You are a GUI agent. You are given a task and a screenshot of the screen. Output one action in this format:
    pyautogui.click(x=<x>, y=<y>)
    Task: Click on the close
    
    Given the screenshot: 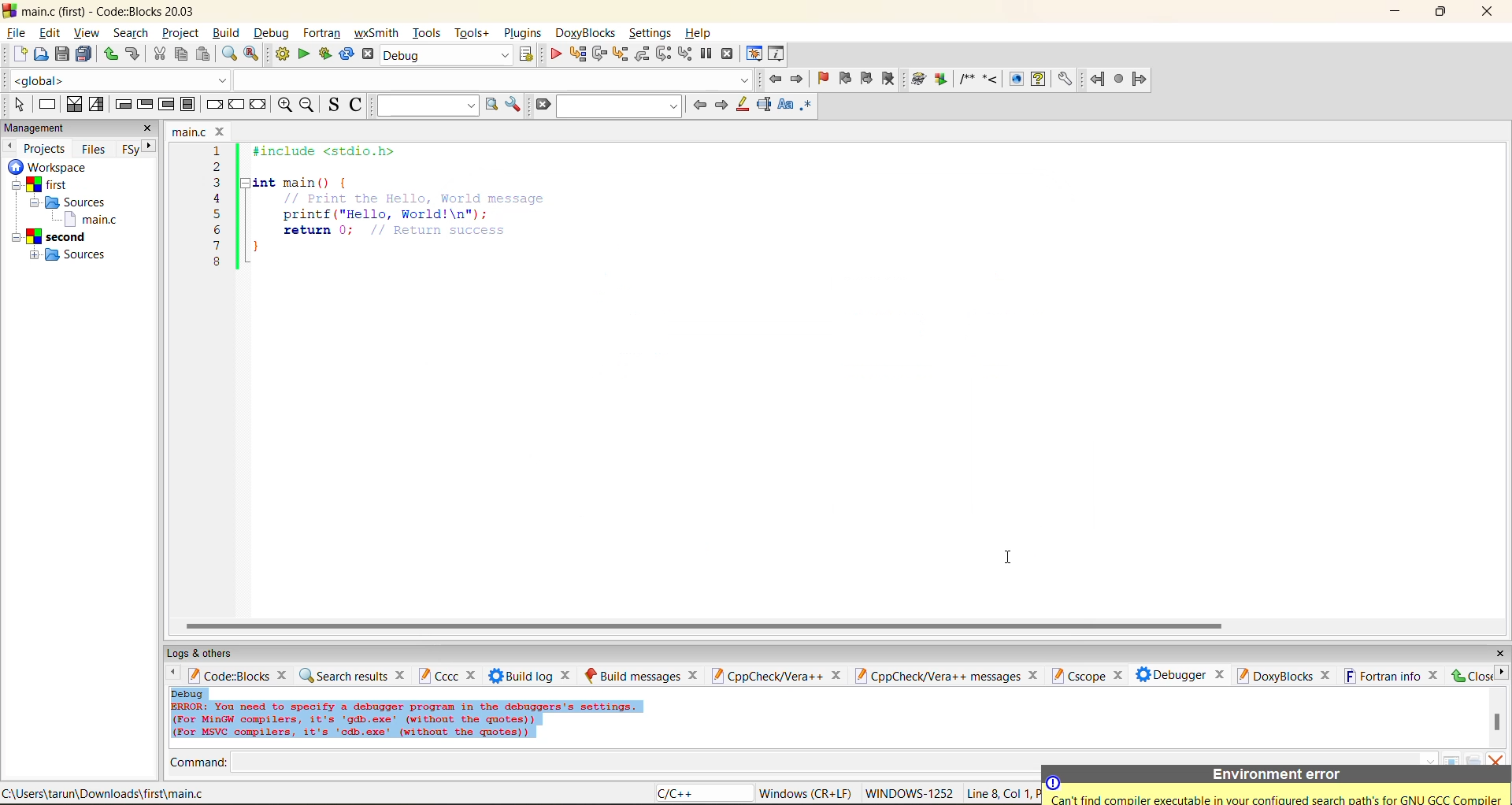 What is the action you would take?
    pyautogui.click(x=836, y=676)
    